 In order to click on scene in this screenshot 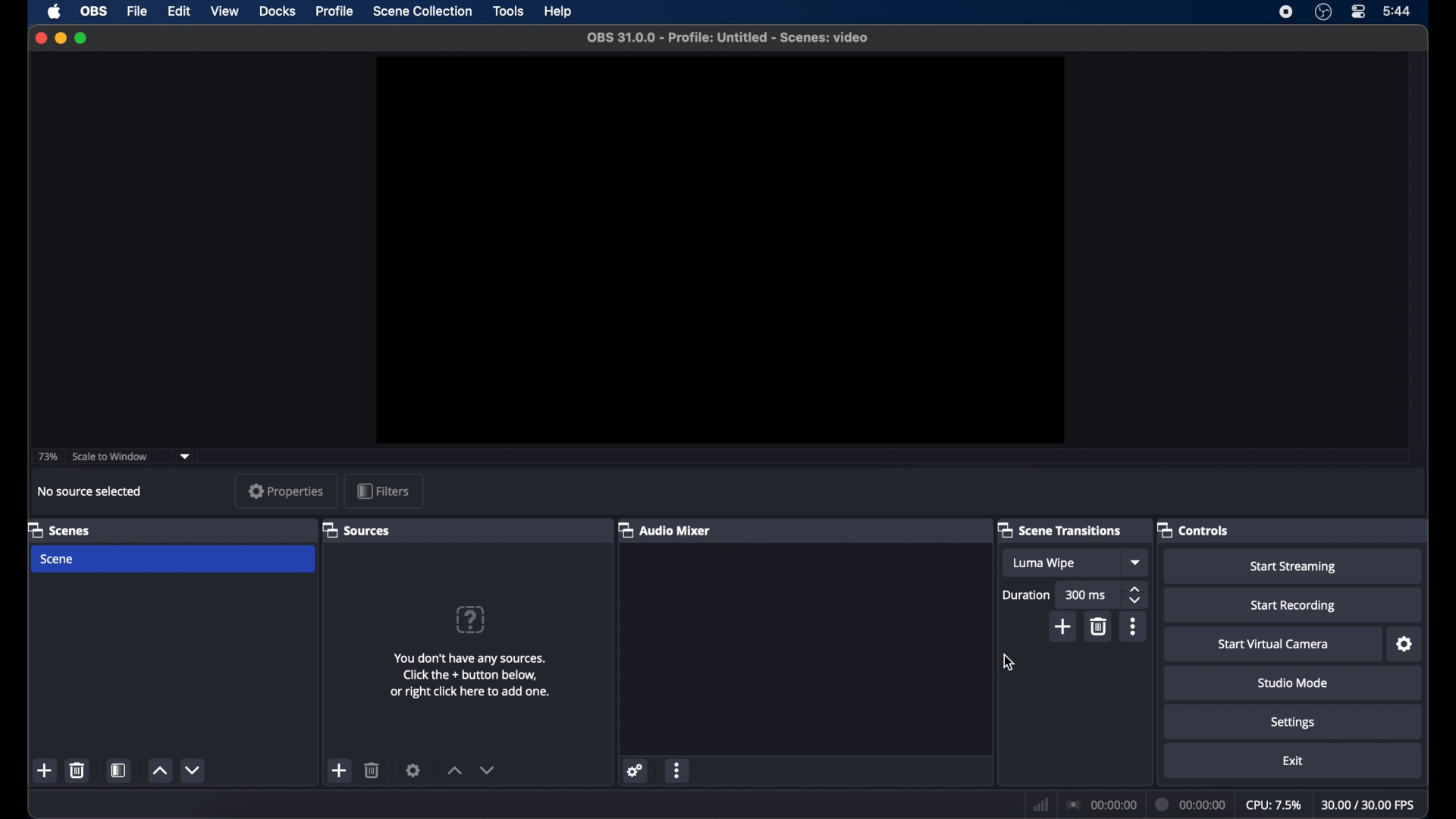, I will do `click(58, 560)`.